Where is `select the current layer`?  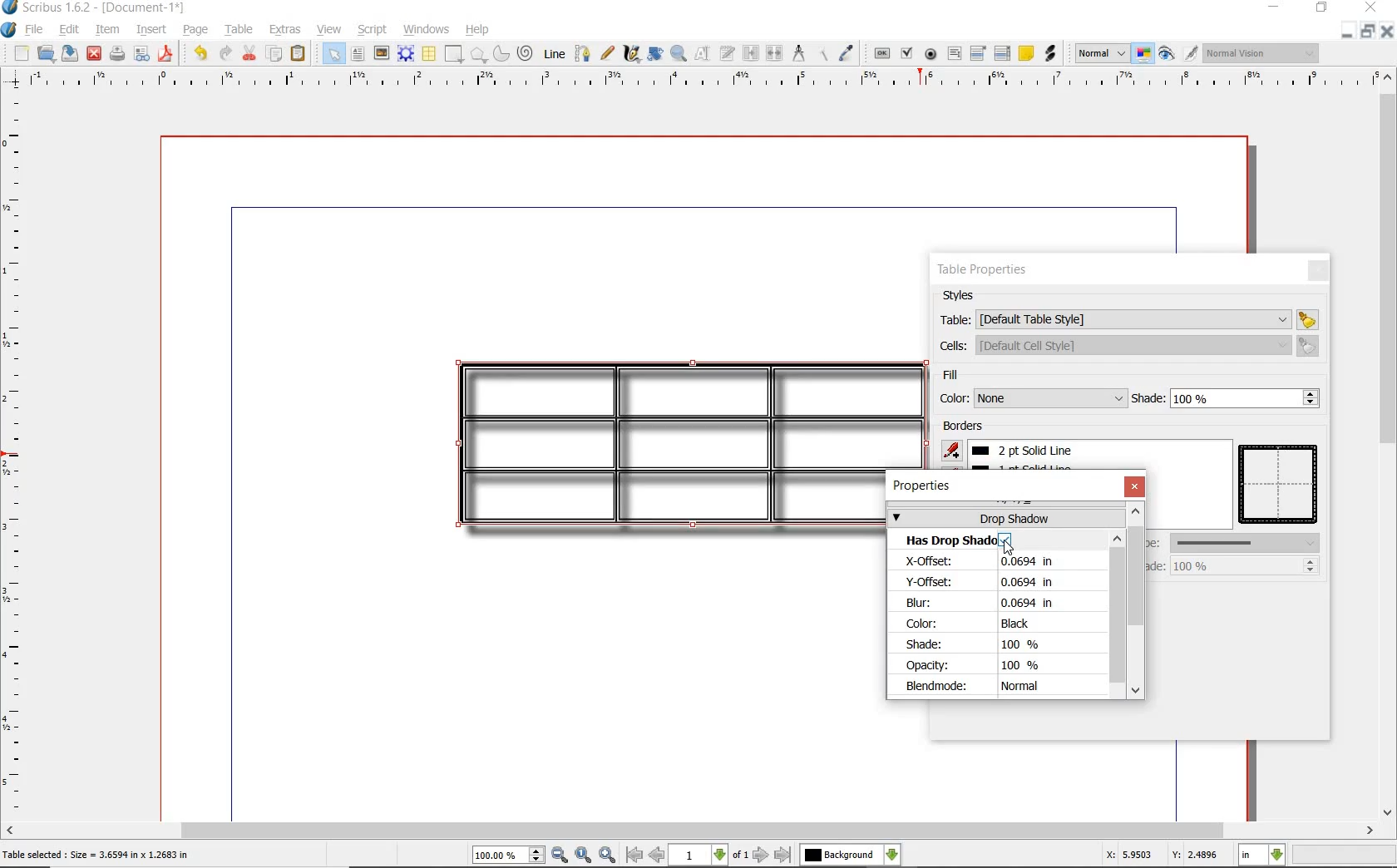 select the current layer is located at coordinates (852, 853).